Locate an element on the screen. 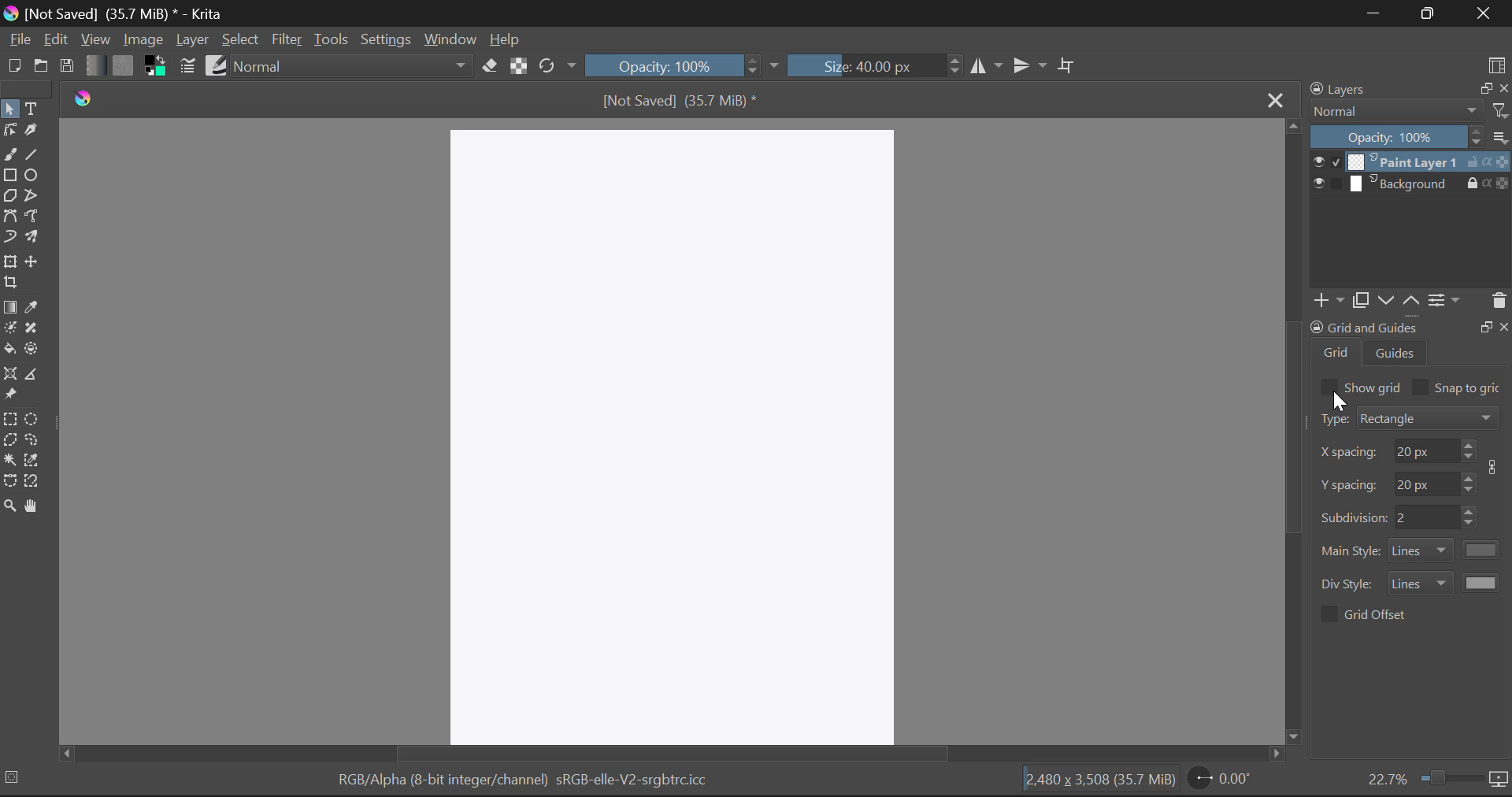 The width and height of the screenshot is (1512, 797). grid is located at coordinates (1337, 352).